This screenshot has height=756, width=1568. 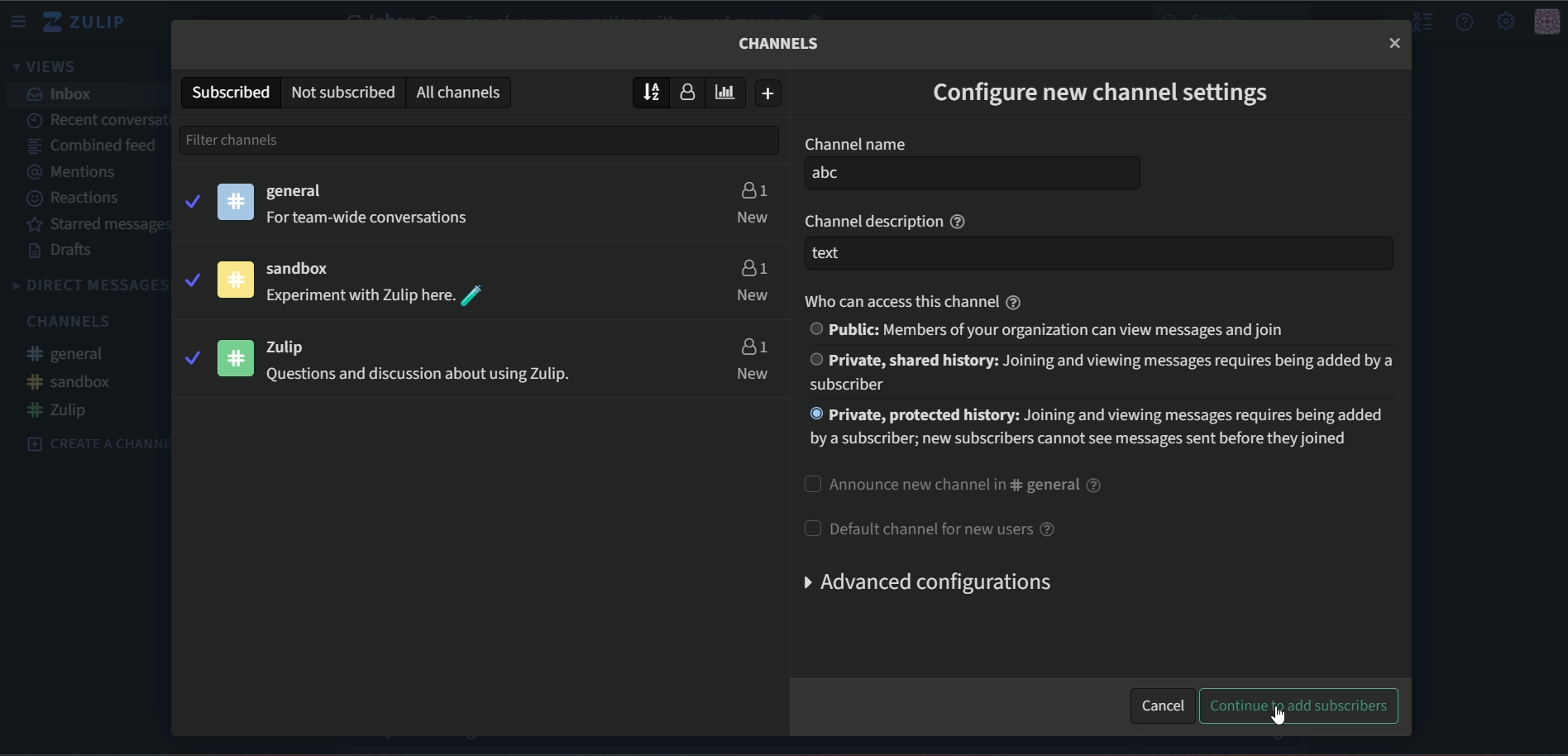 I want to click on icon, so click(x=235, y=280).